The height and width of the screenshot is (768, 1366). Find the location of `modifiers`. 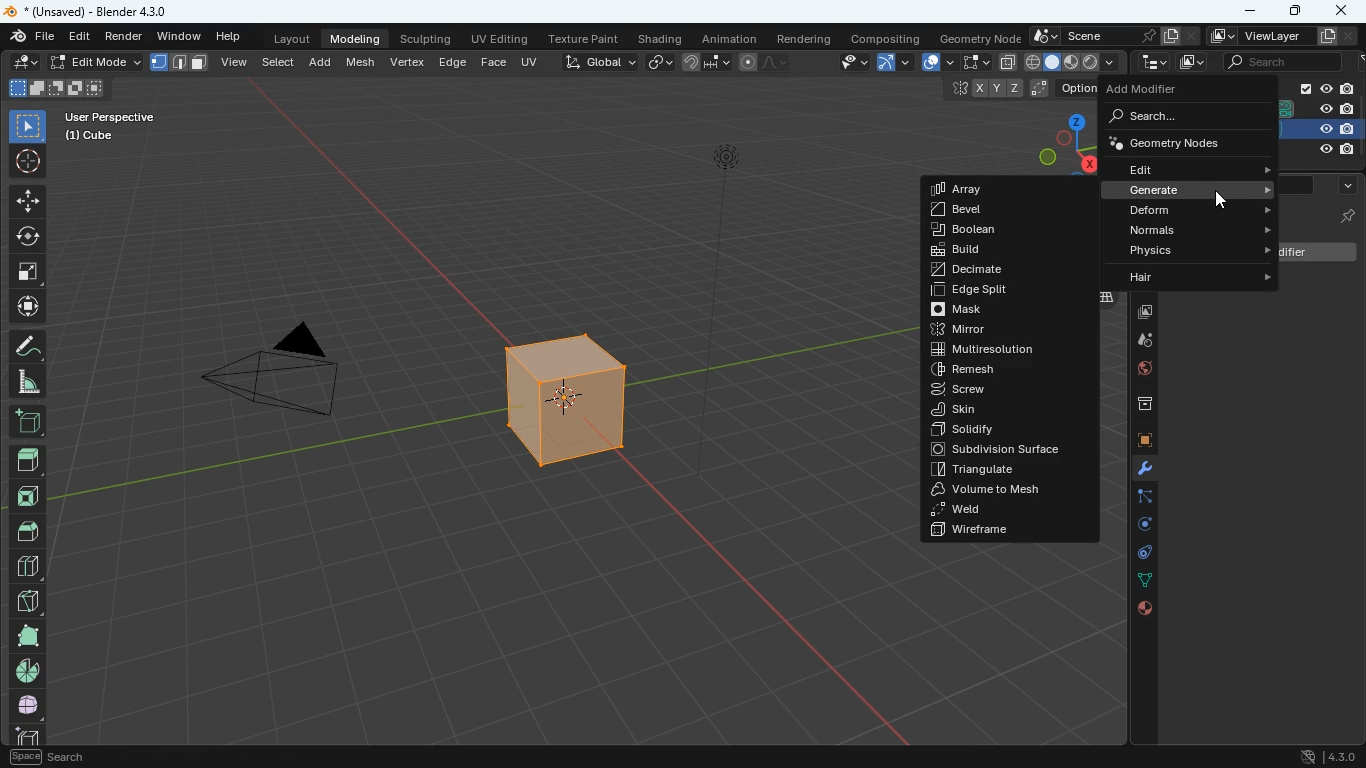

modifiers is located at coordinates (1141, 472).